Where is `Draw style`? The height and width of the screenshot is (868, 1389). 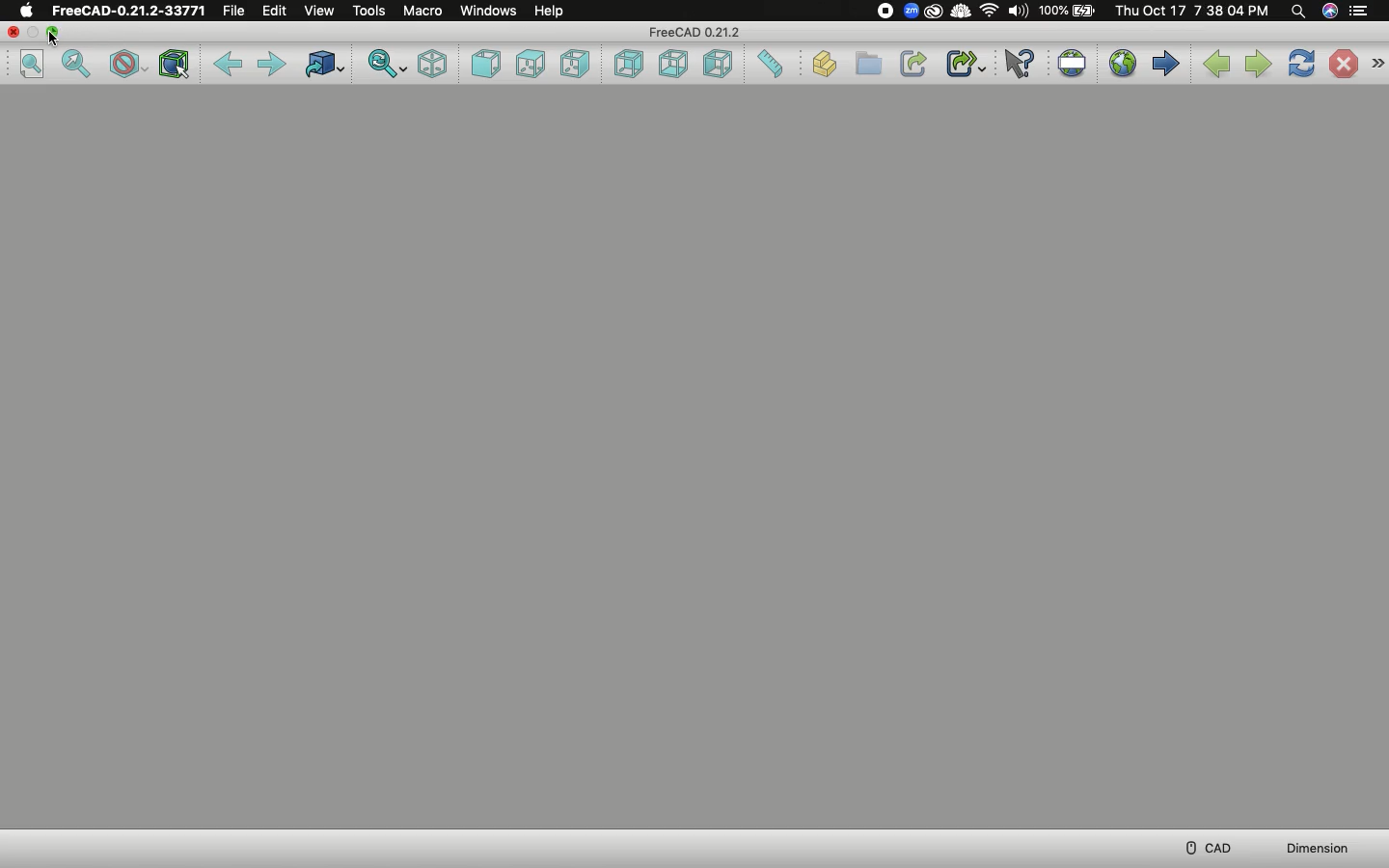
Draw style is located at coordinates (128, 64).